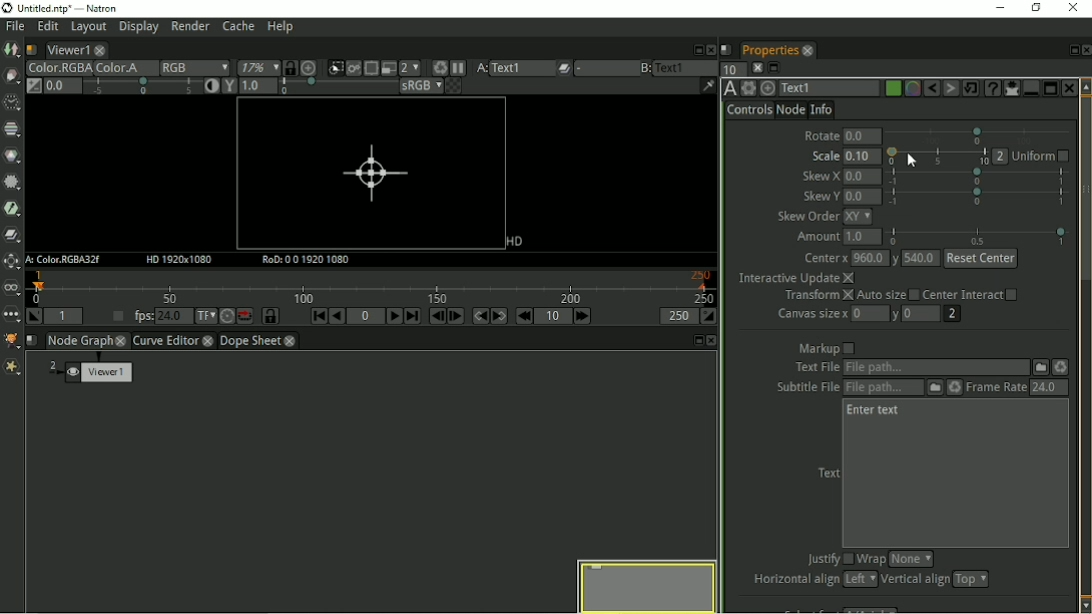  Describe the element at coordinates (57, 68) in the screenshot. I see `Color` at that location.